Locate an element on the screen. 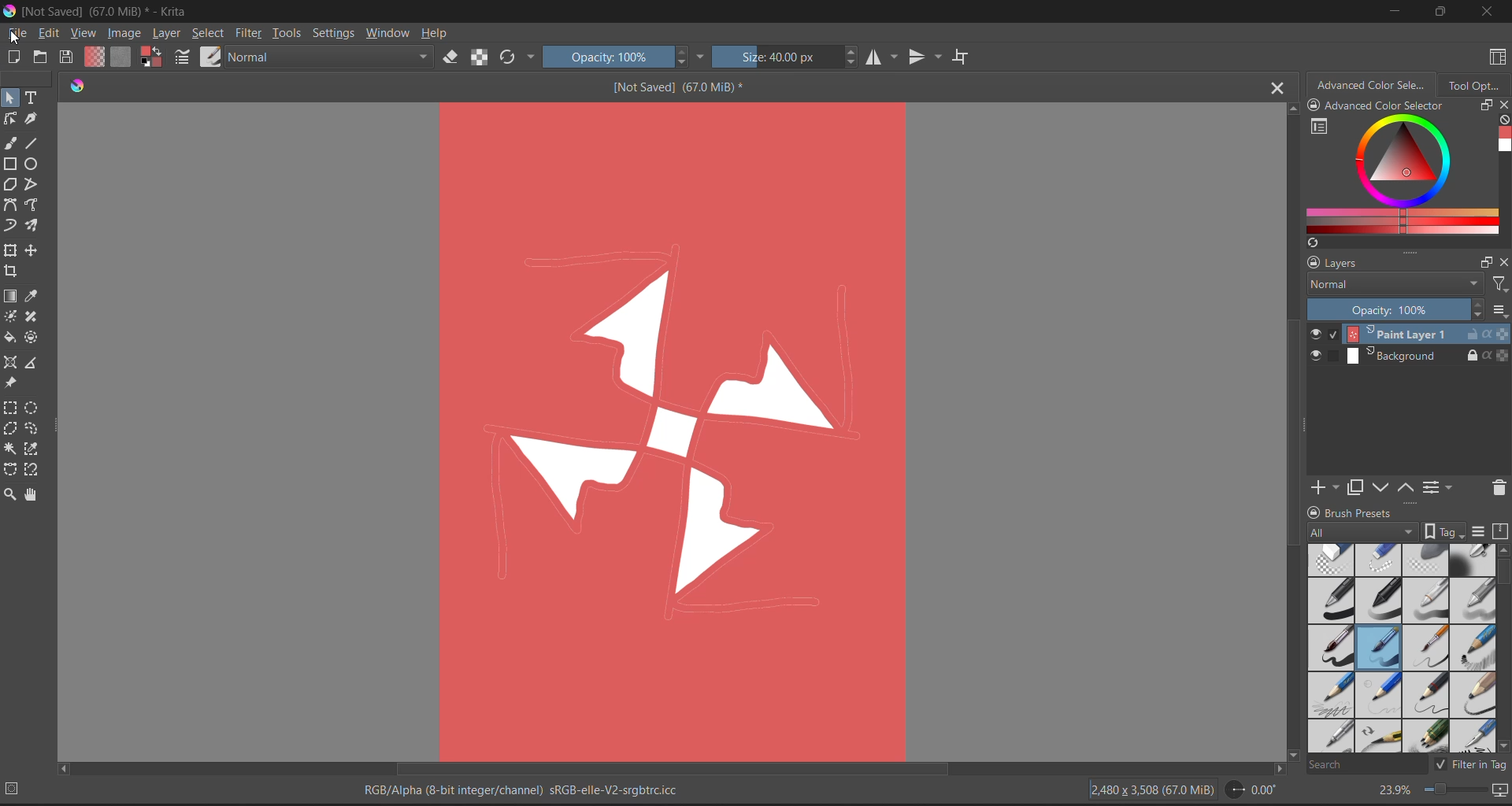 This screenshot has width=1512, height=806. tools is located at coordinates (13, 384).